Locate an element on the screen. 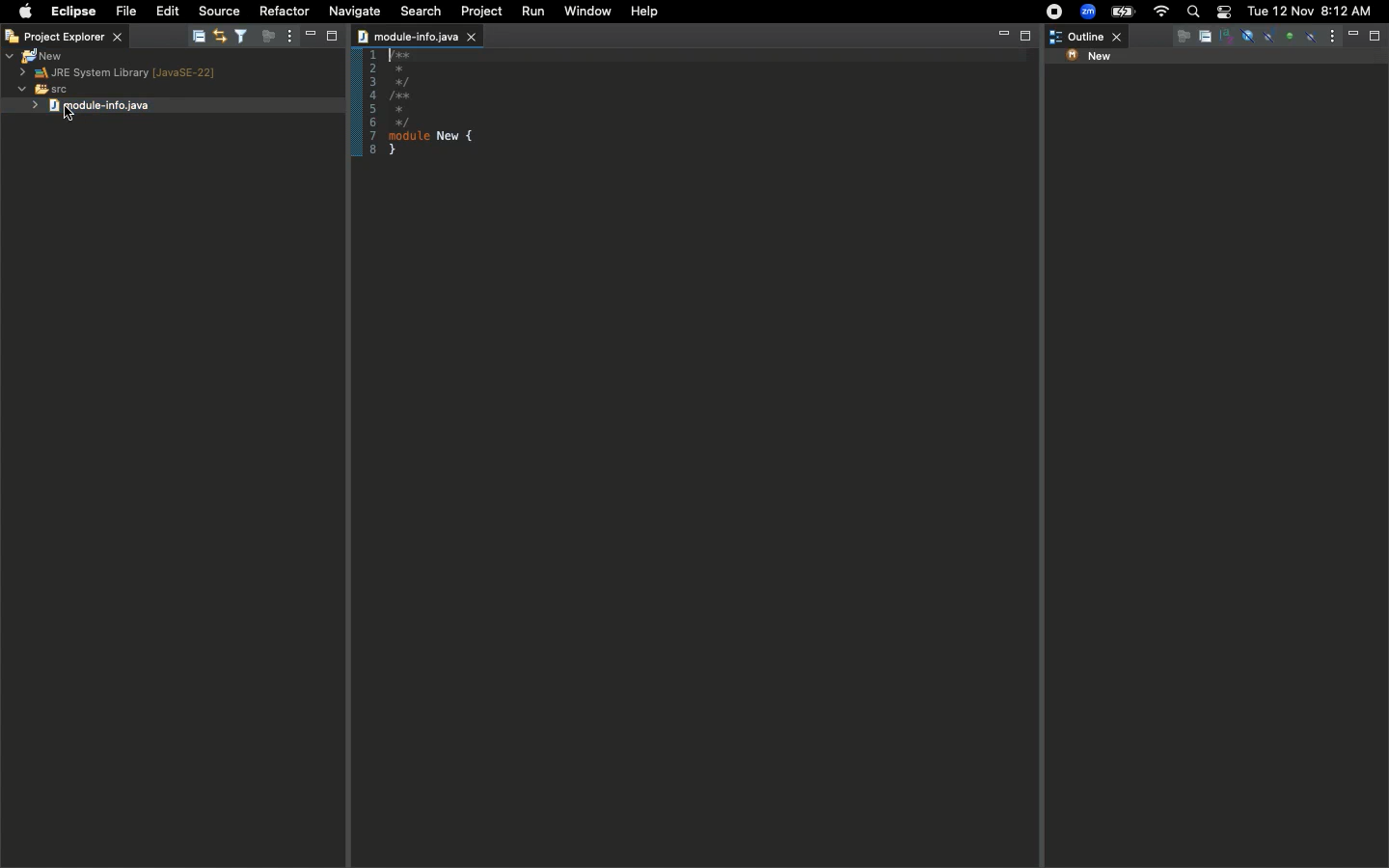  Navigate is located at coordinates (354, 14).